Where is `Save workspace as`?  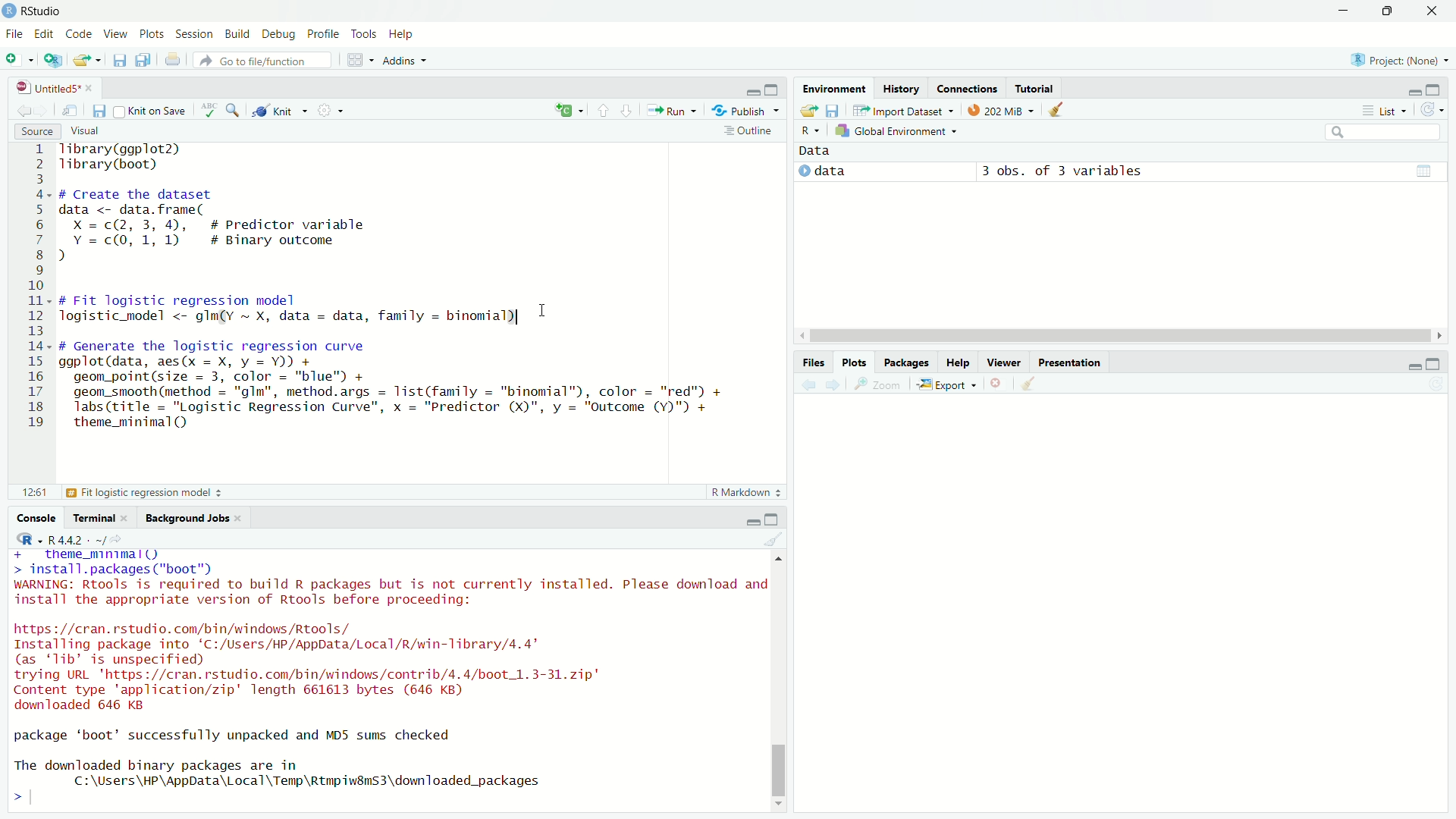
Save workspace as is located at coordinates (833, 111).